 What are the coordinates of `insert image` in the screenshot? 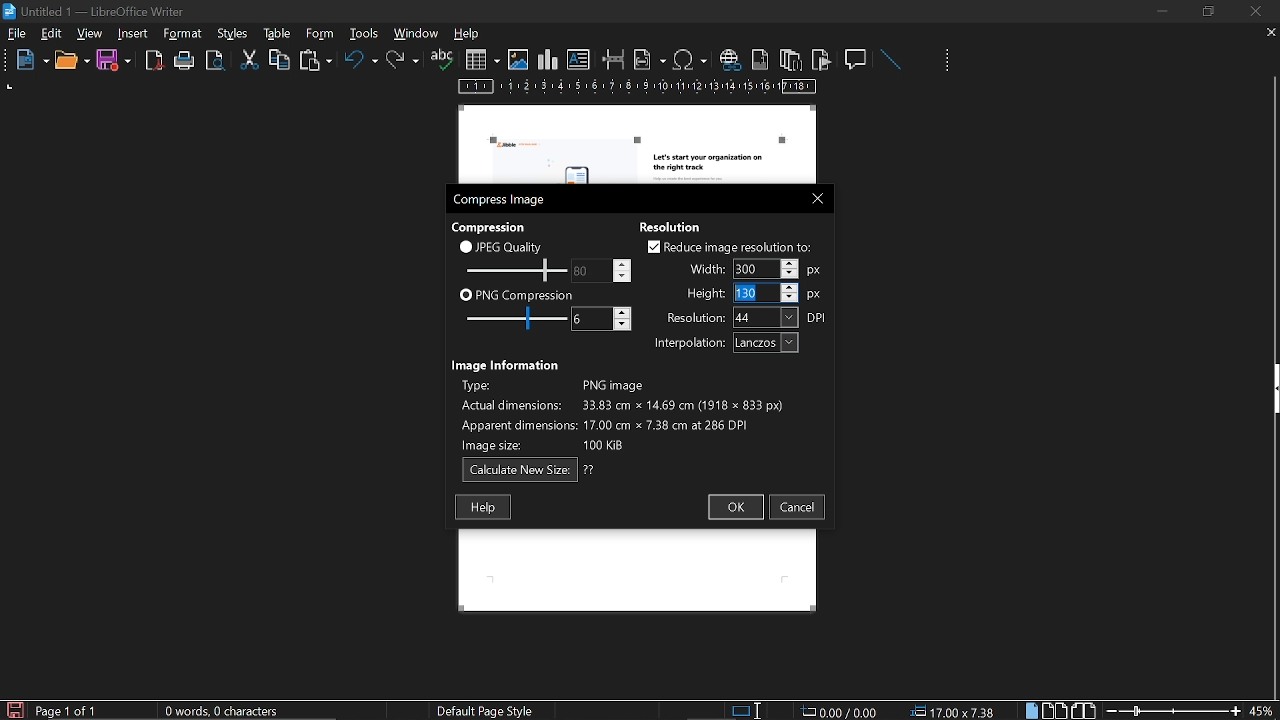 It's located at (518, 60).